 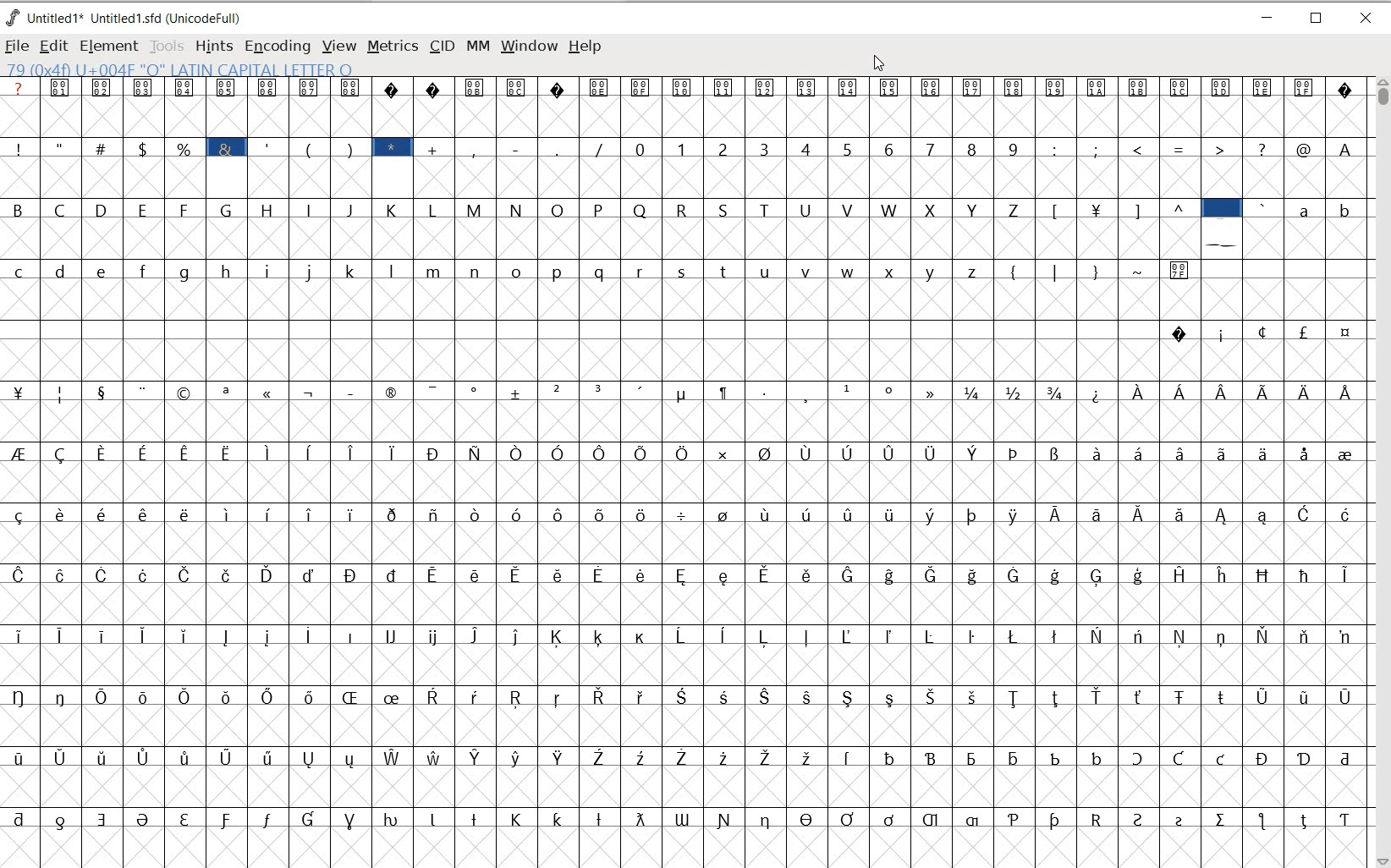 I want to click on TOOLS, so click(x=168, y=47).